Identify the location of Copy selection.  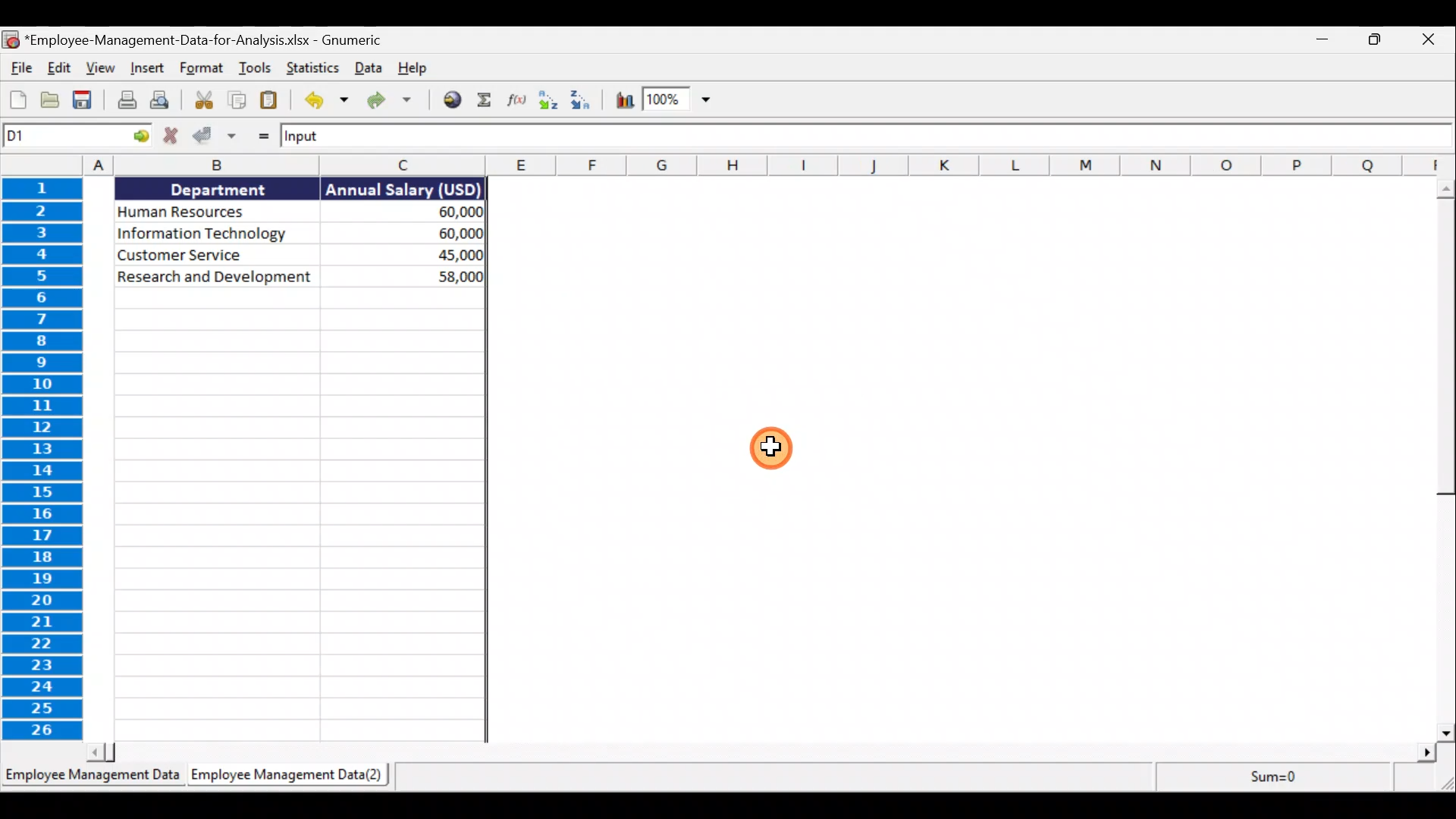
(240, 100).